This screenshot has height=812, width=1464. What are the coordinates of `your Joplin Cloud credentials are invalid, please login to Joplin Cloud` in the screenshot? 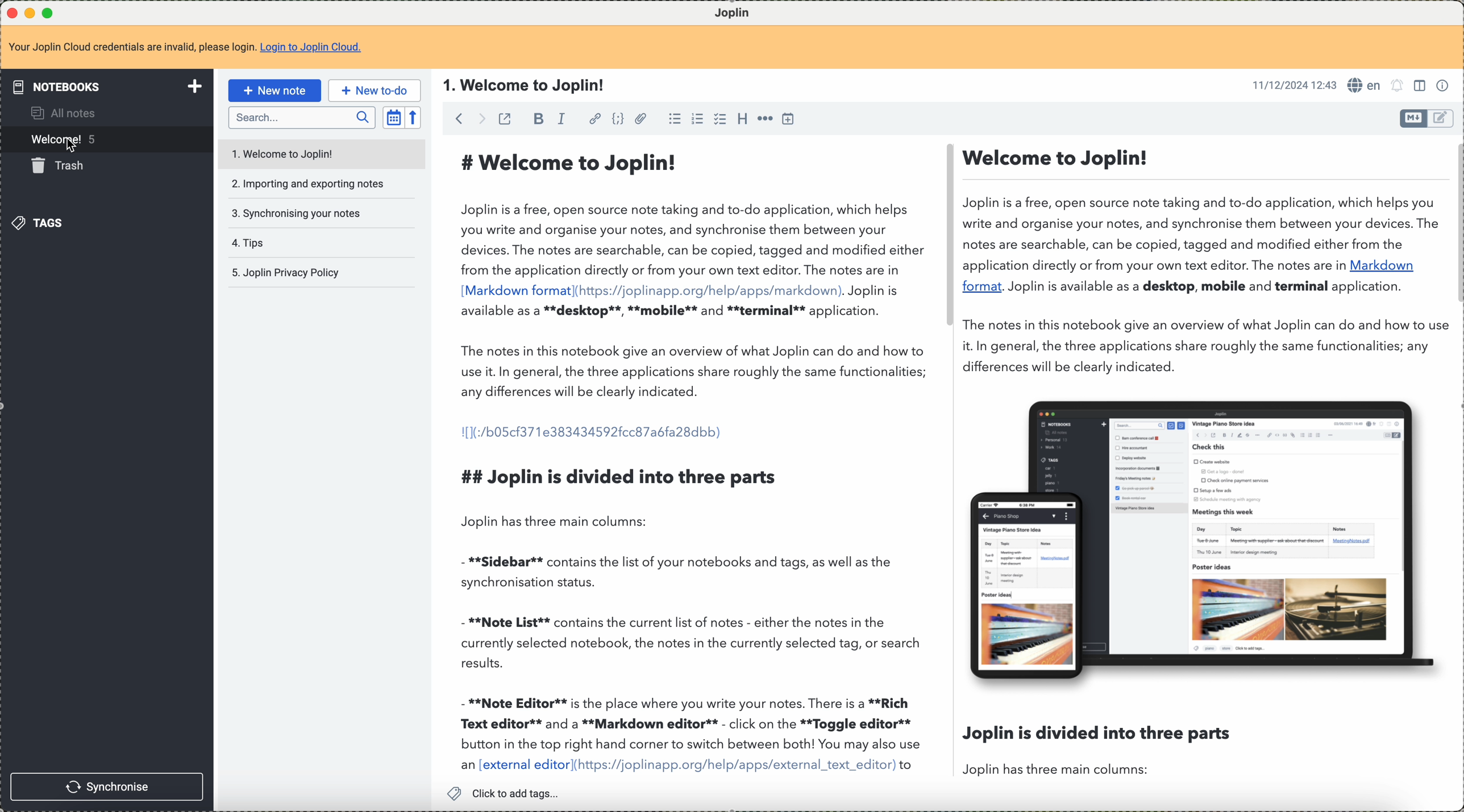 It's located at (186, 47).